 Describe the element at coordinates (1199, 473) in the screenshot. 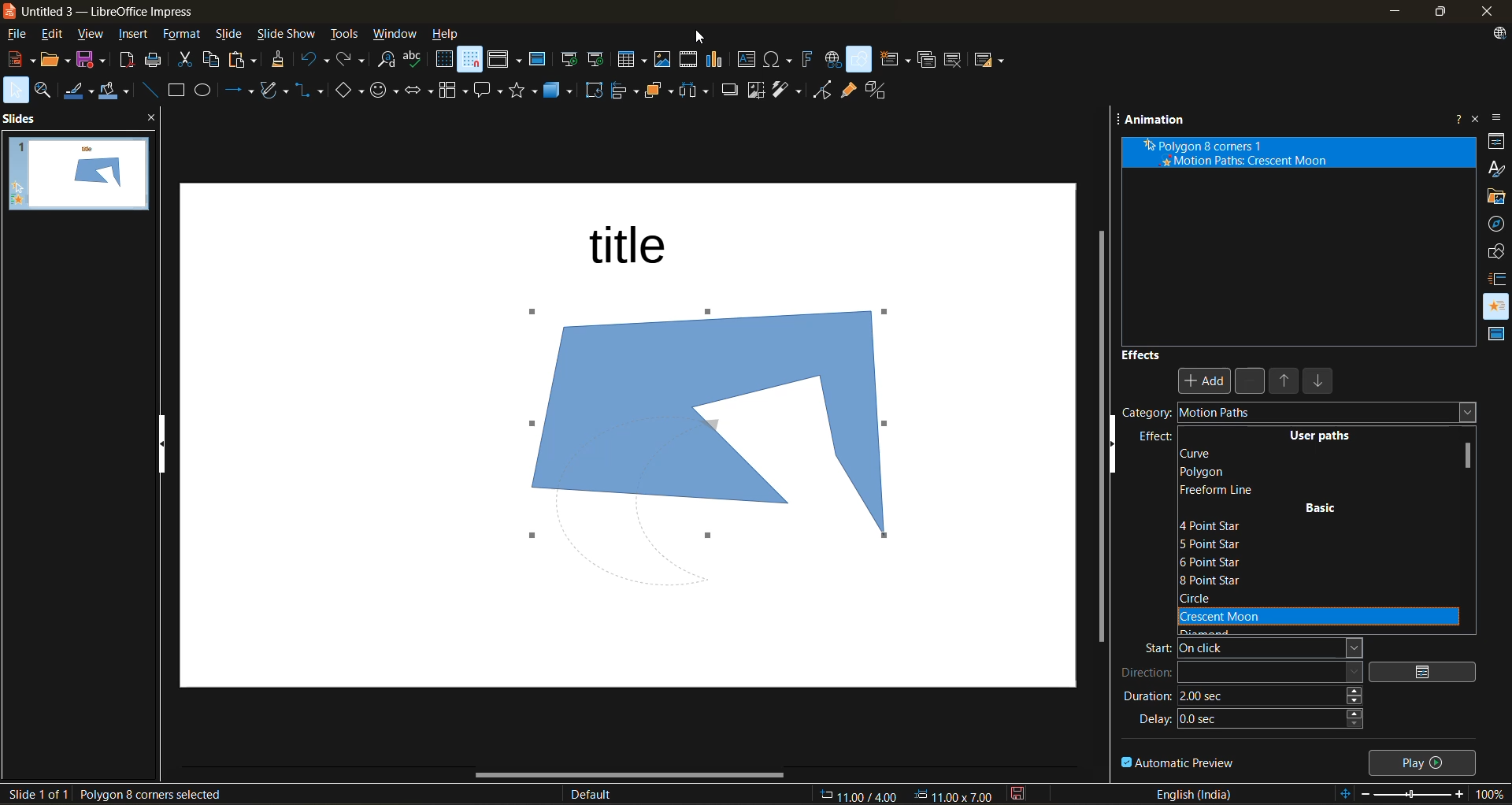

I see `polygon` at that location.